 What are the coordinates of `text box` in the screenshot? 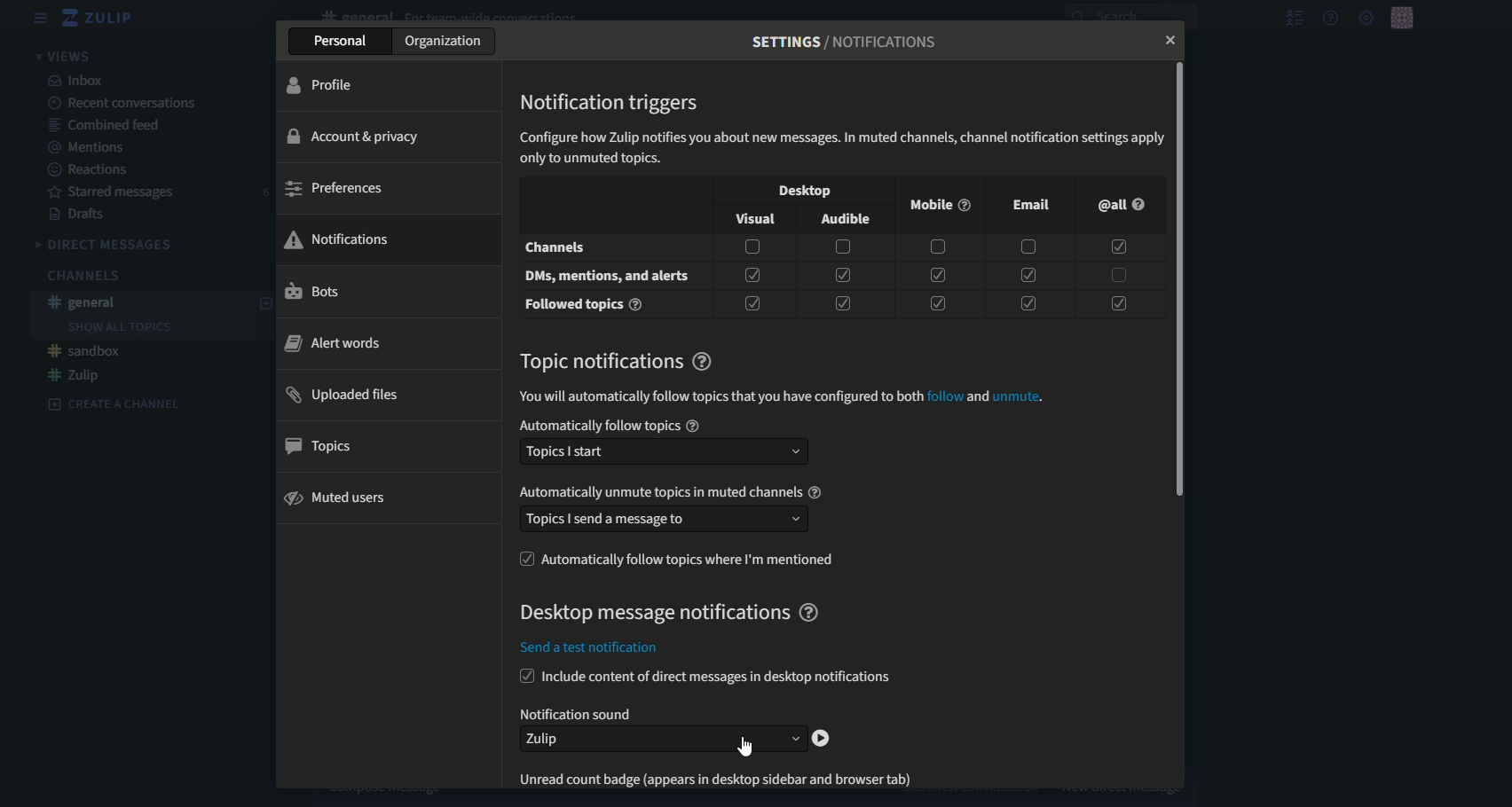 It's located at (660, 452).